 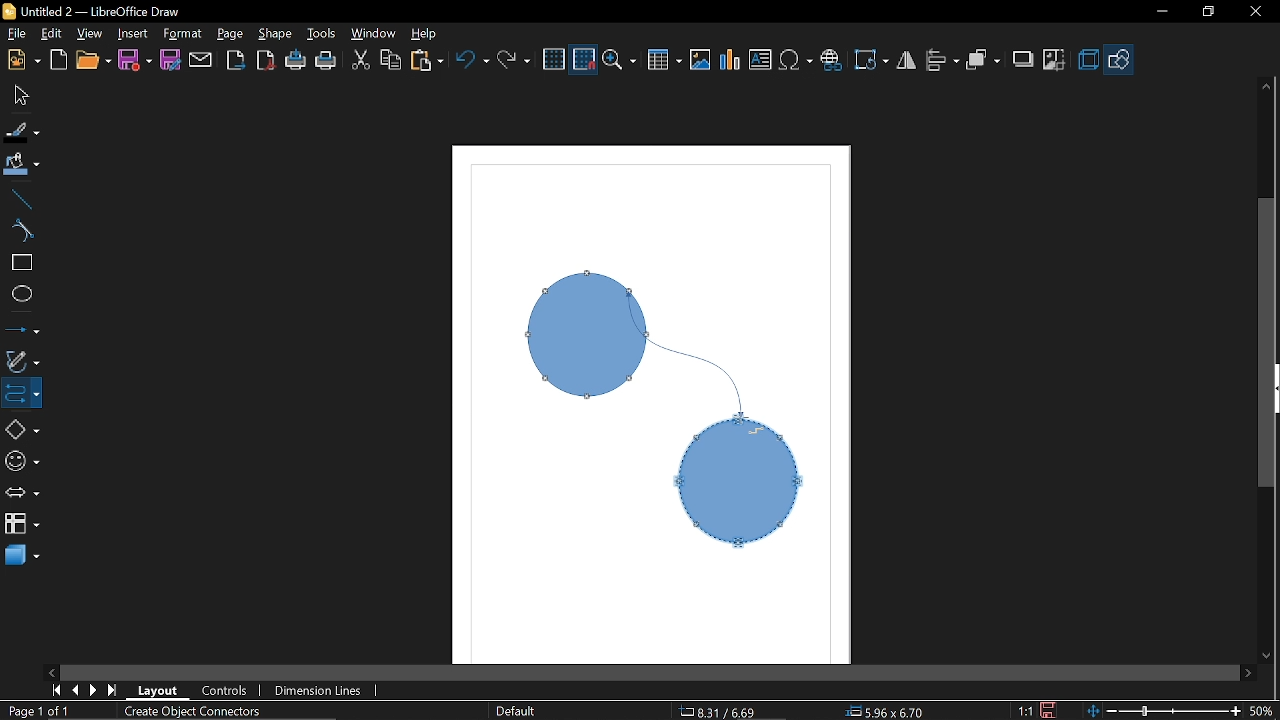 What do you see at coordinates (554, 60) in the screenshot?
I see `Grid` at bounding box center [554, 60].